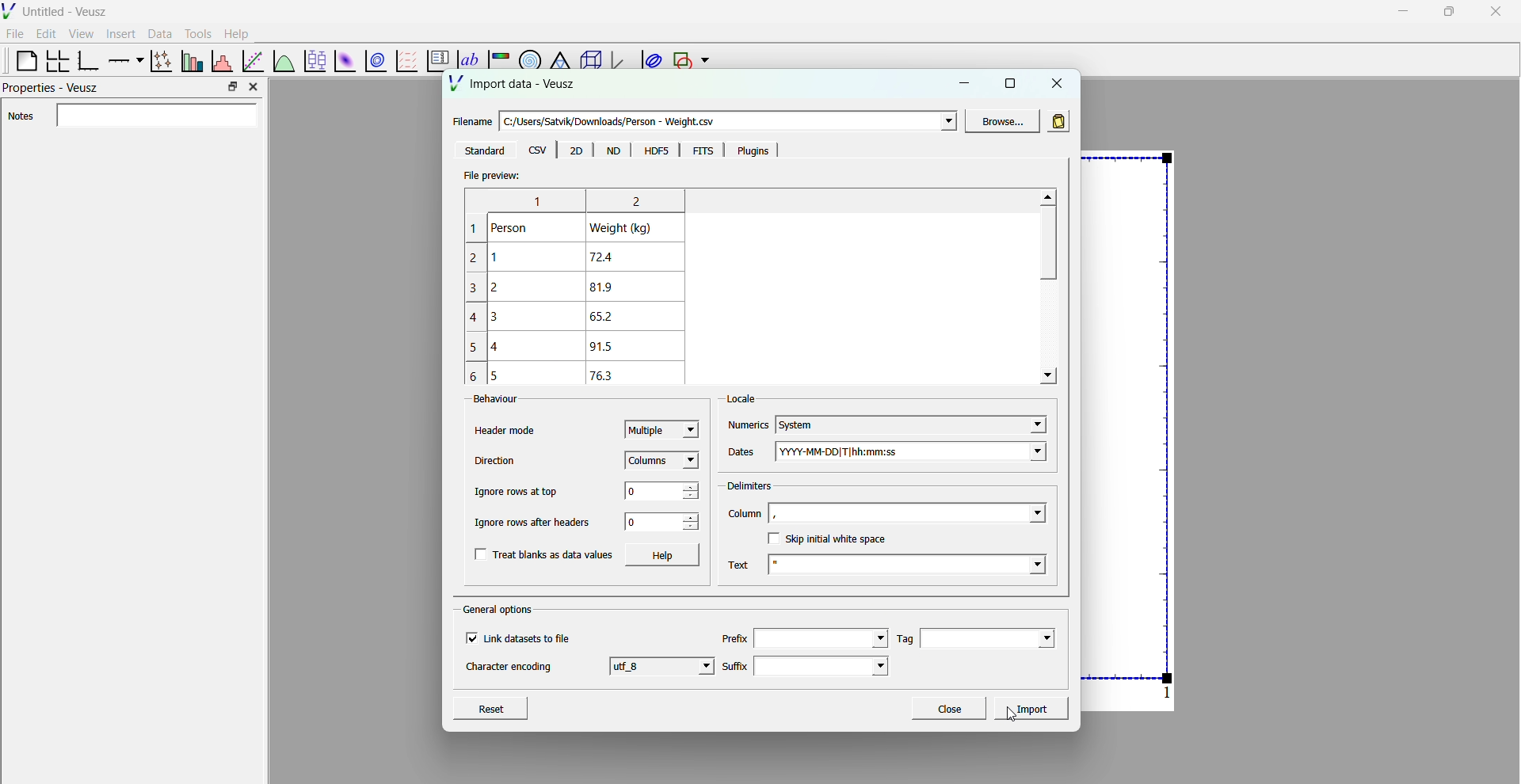 This screenshot has height=784, width=1521. Describe the element at coordinates (135, 116) in the screenshot. I see `Notes` at that location.